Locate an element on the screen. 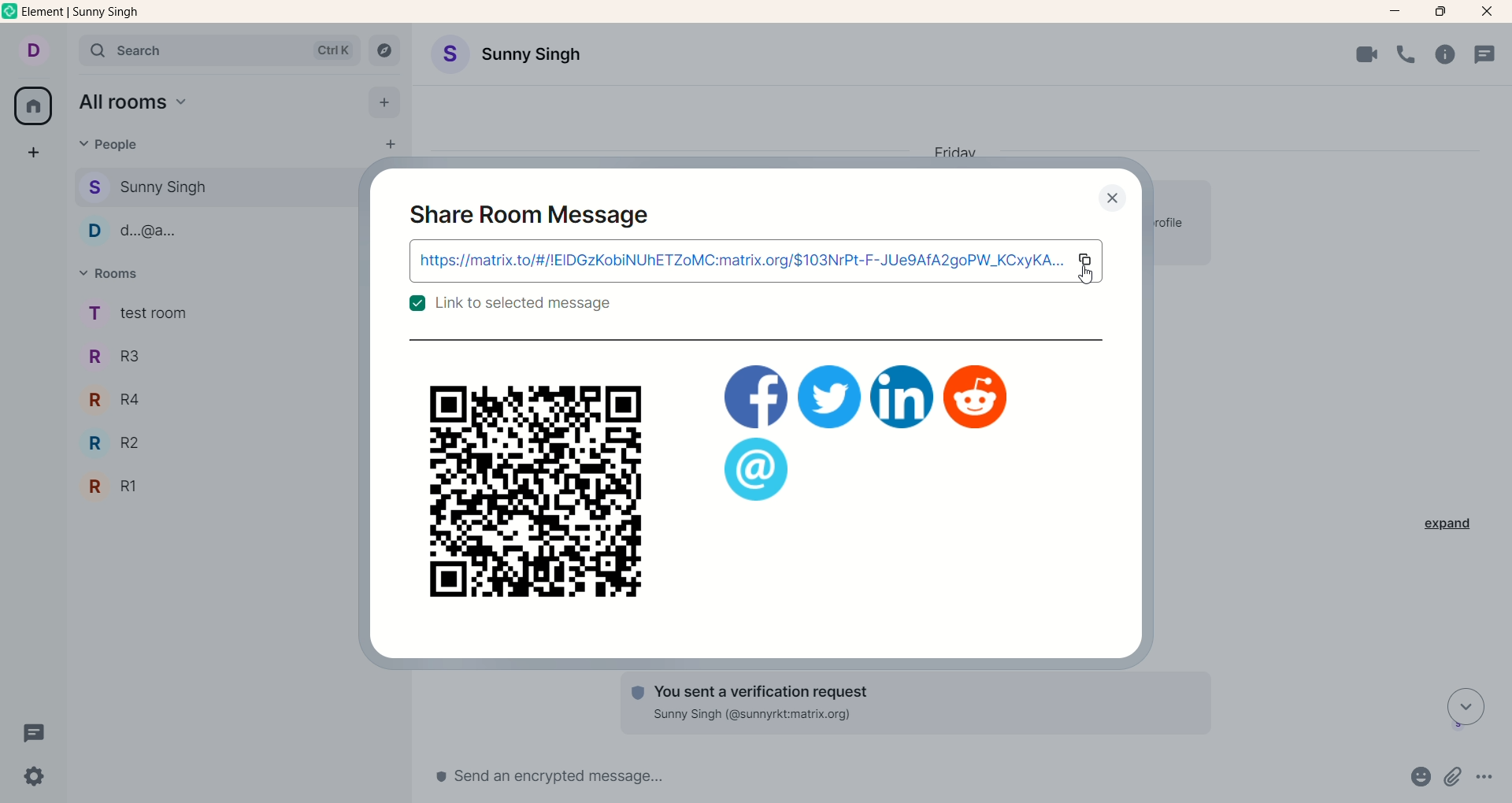 The image size is (1512, 803). people is located at coordinates (170, 235).